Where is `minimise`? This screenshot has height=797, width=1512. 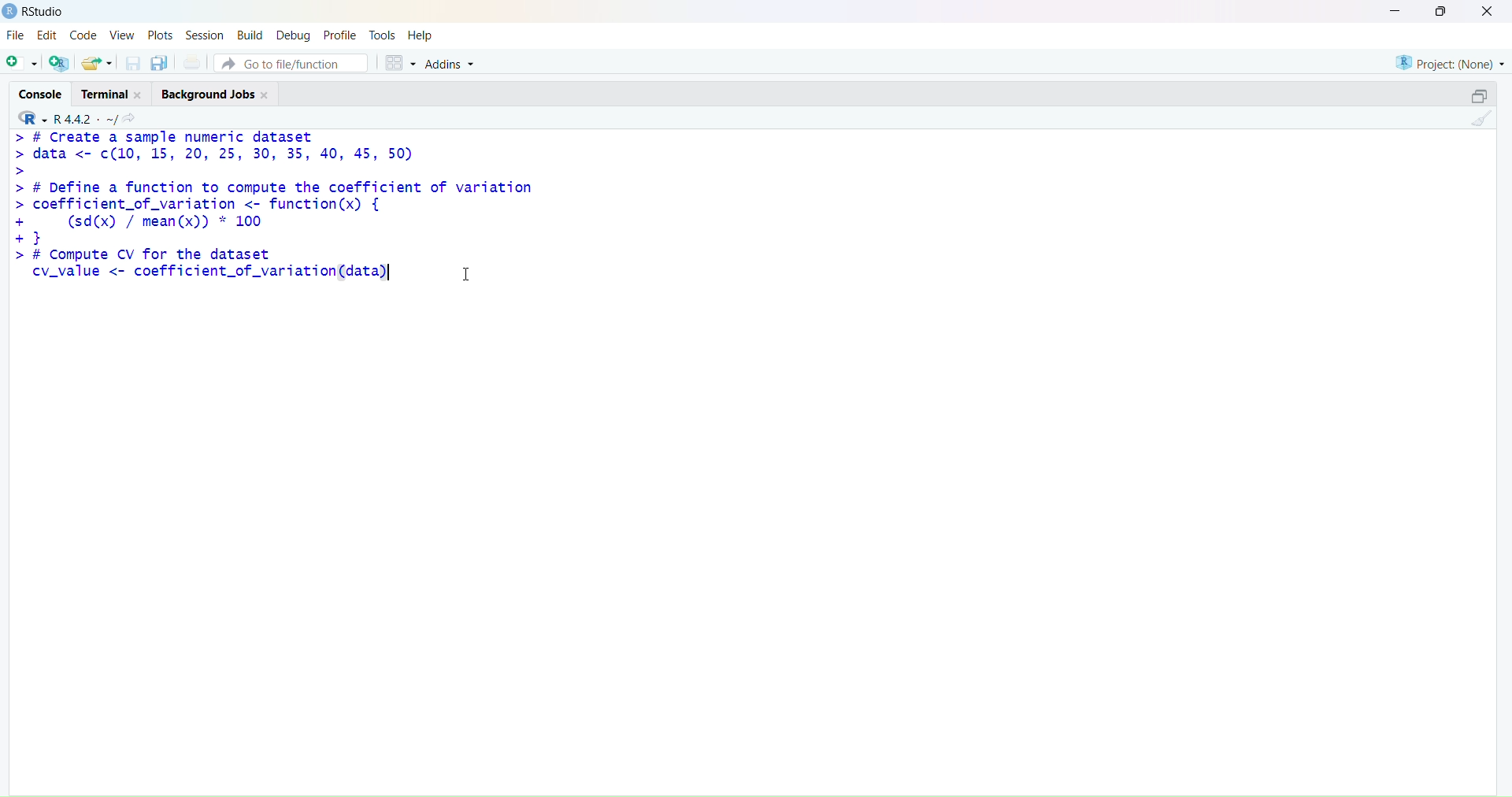
minimise is located at coordinates (1396, 10).